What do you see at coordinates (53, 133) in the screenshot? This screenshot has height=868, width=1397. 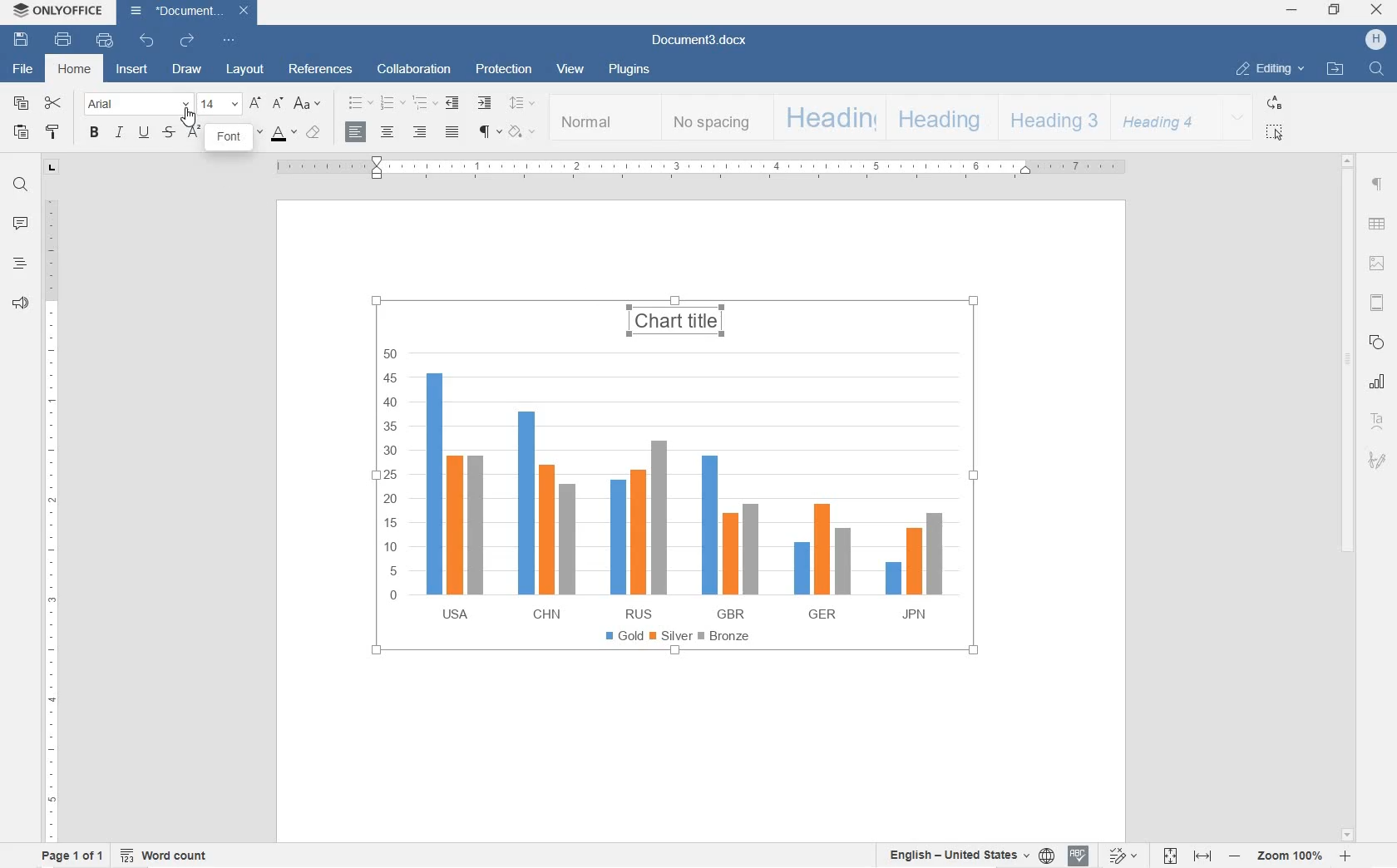 I see `COPY STYLE` at bounding box center [53, 133].